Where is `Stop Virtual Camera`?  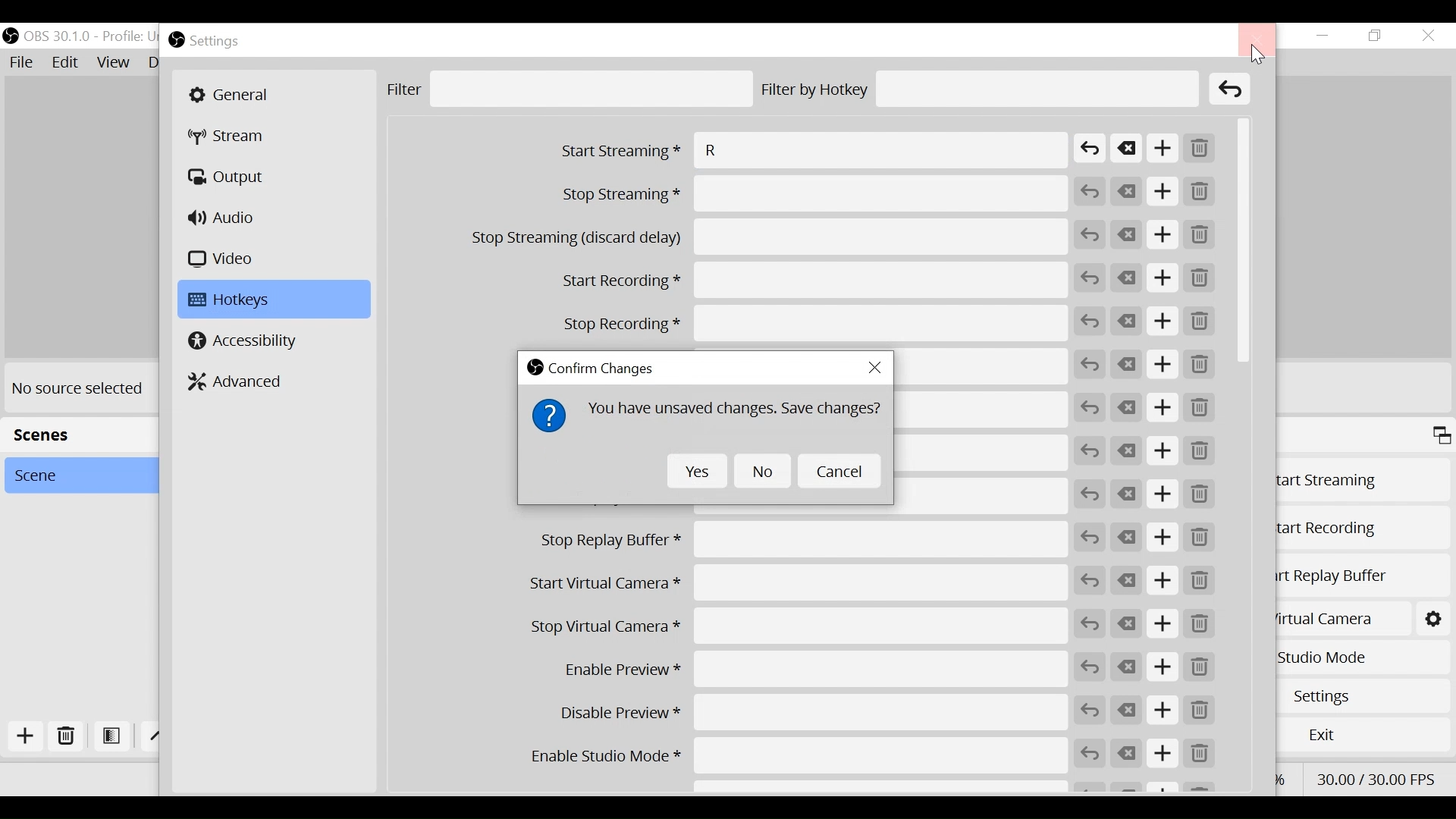 Stop Virtual Camera is located at coordinates (797, 626).